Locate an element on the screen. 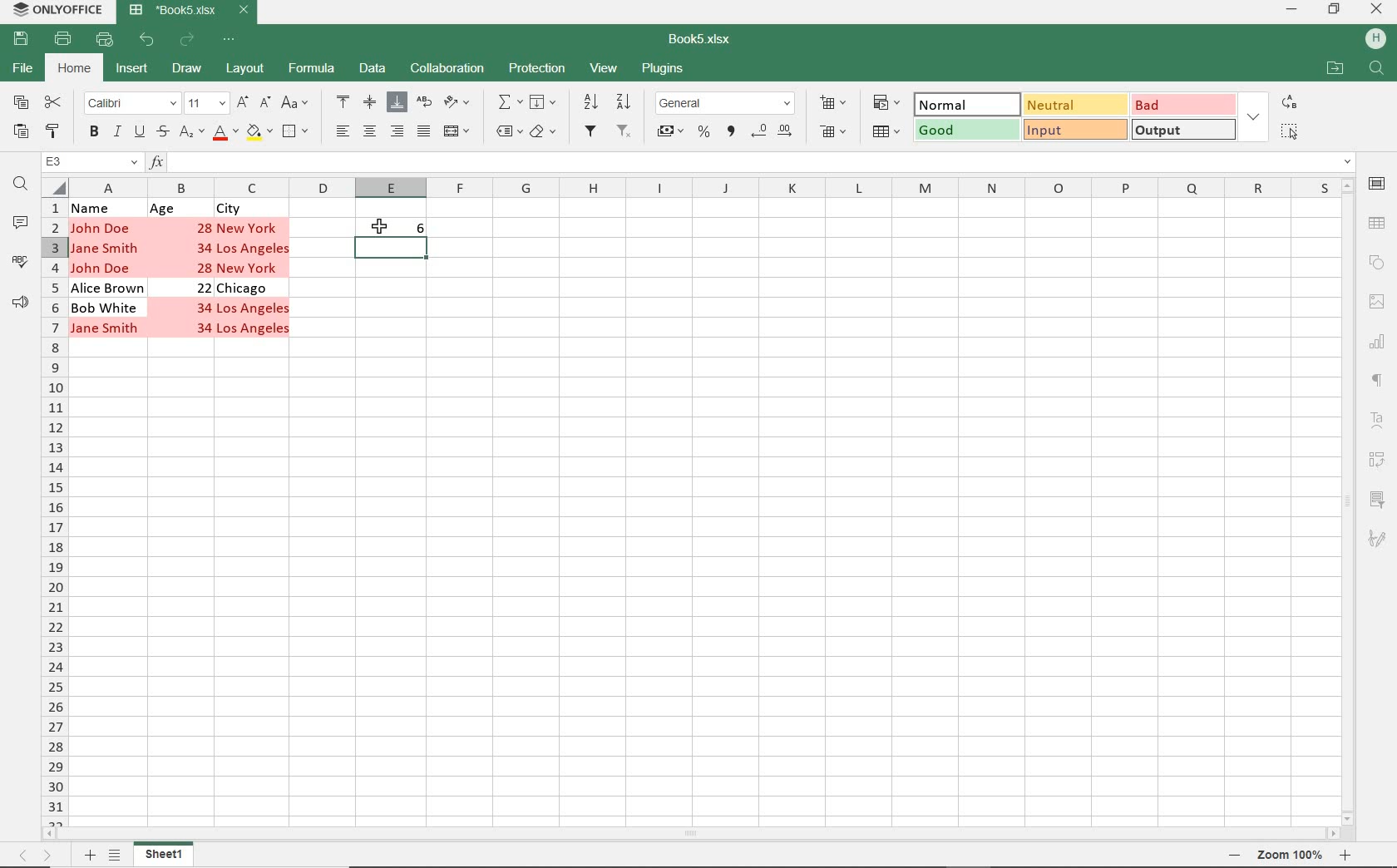  DOCUMENT NAME is located at coordinates (700, 36).